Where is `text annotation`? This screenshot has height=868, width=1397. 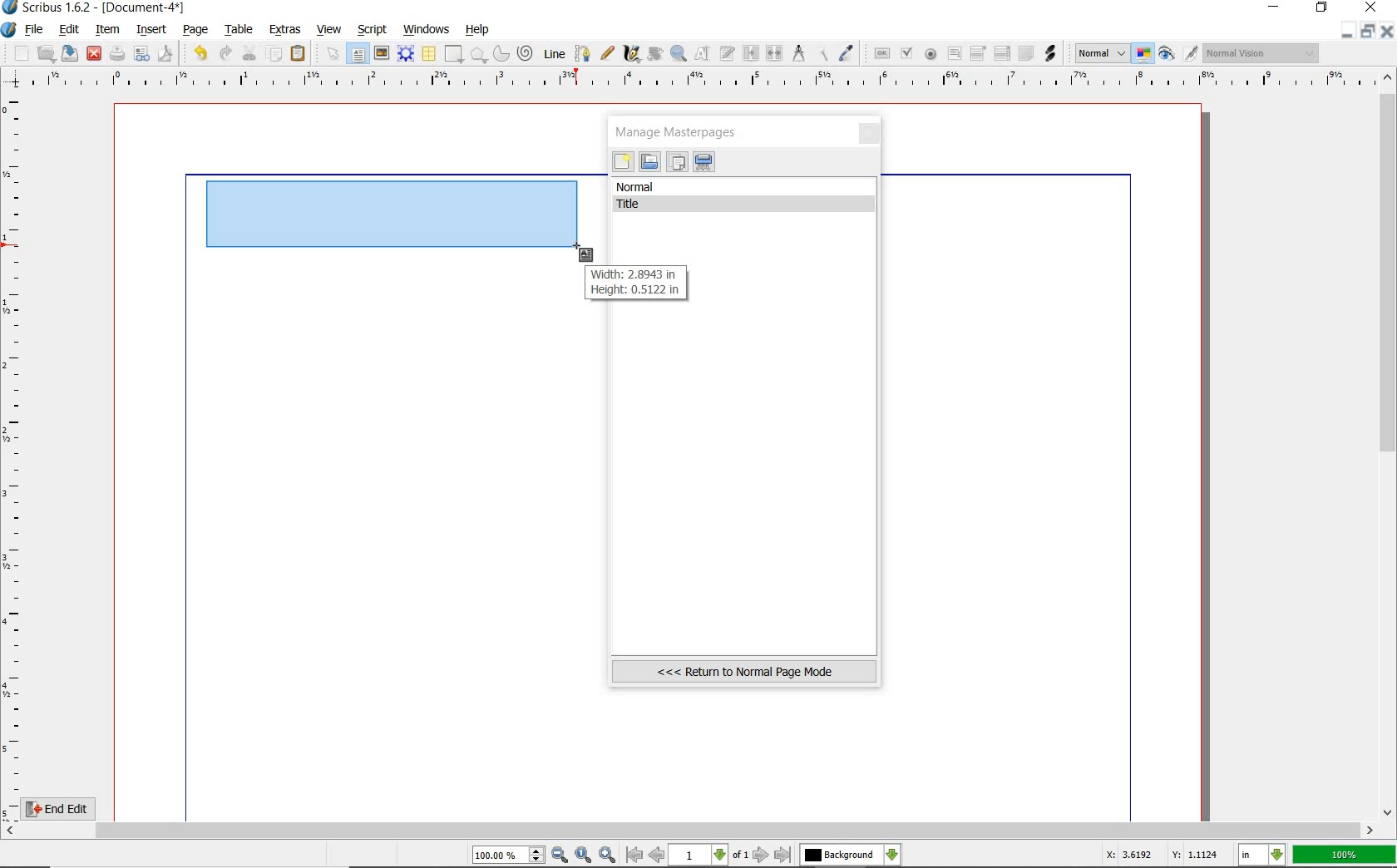 text annotation is located at coordinates (1025, 54).